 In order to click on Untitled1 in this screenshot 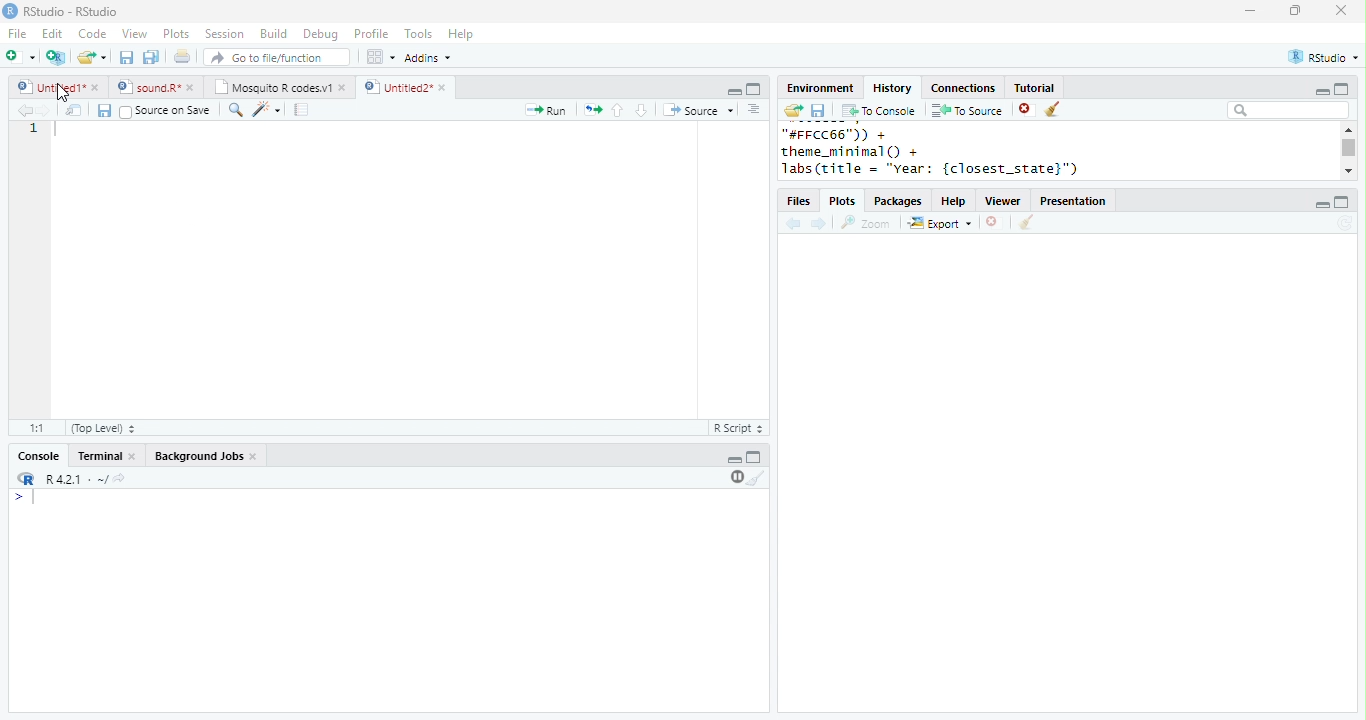, I will do `click(47, 86)`.